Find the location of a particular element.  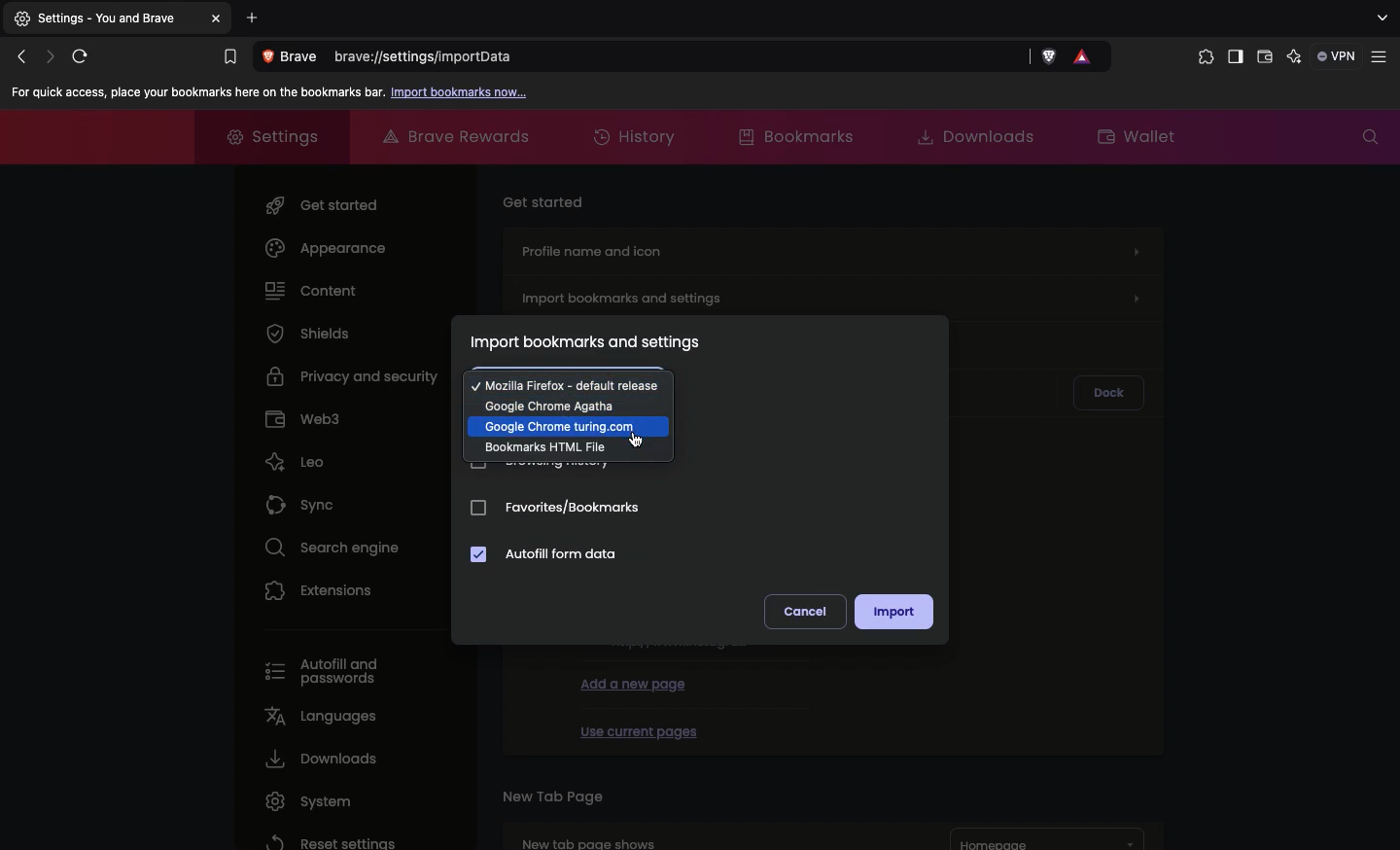

New tab page shows is located at coordinates (700, 834).